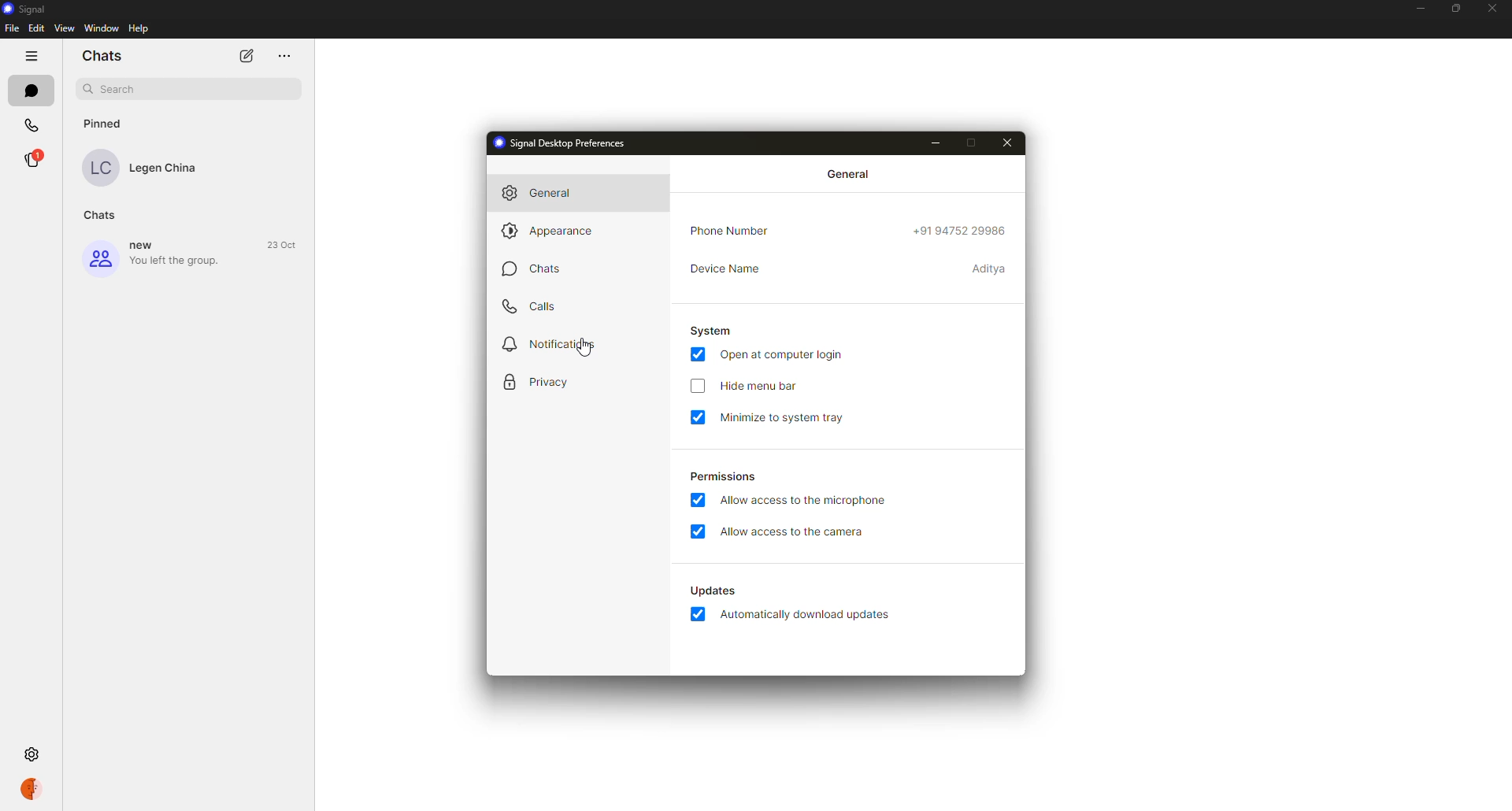 This screenshot has width=1512, height=811. What do you see at coordinates (31, 126) in the screenshot?
I see `Calls` at bounding box center [31, 126].